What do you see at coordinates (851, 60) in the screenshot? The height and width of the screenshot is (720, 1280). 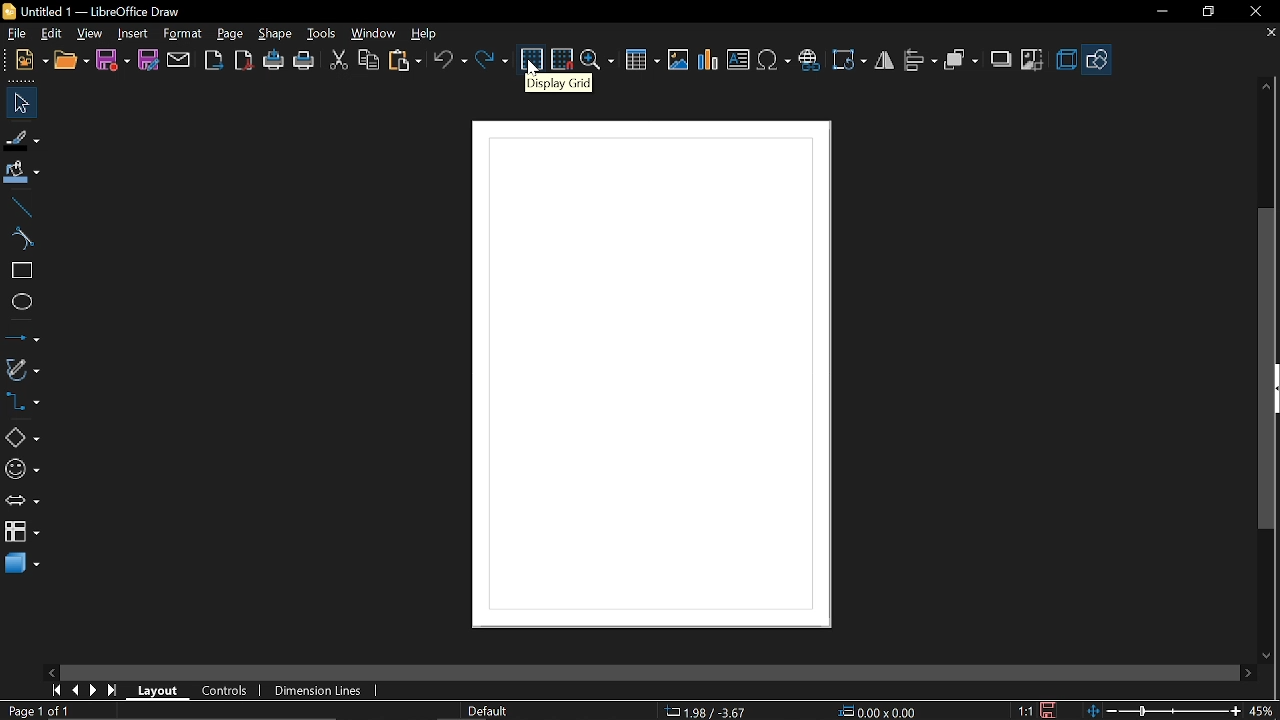 I see `Rotate` at bounding box center [851, 60].